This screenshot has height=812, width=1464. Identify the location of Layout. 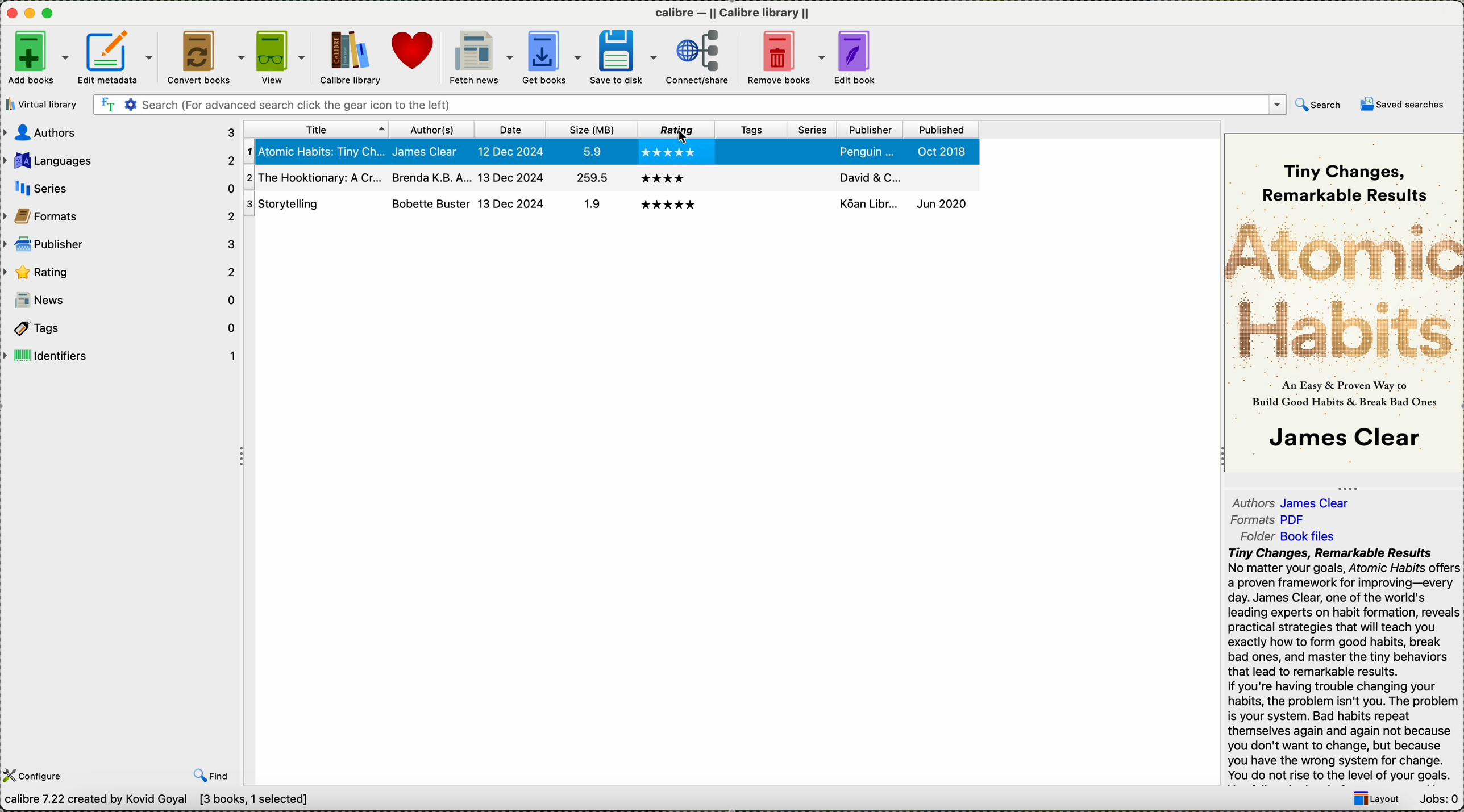
(1371, 801).